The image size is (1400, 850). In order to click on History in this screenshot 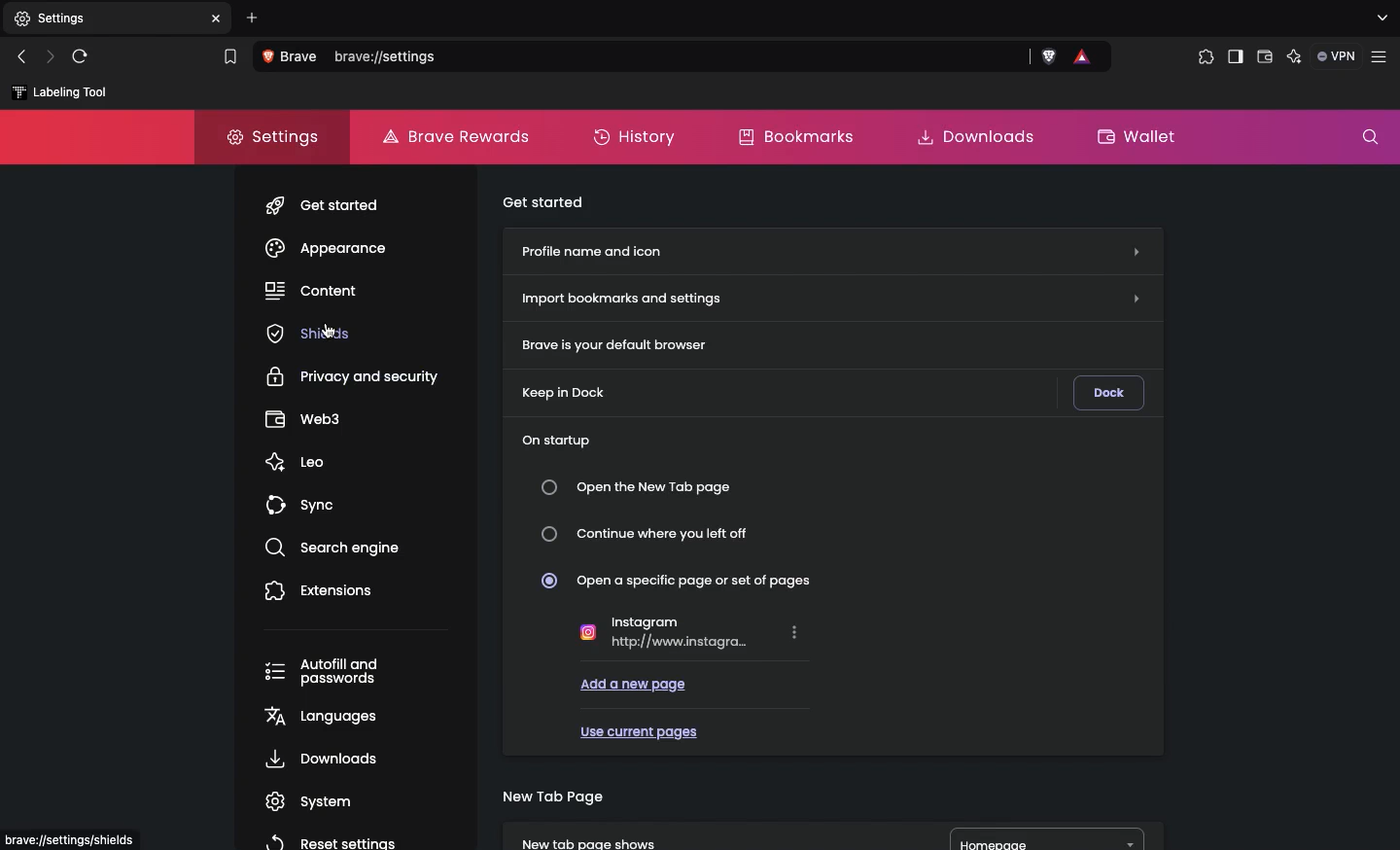, I will do `click(638, 137)`.